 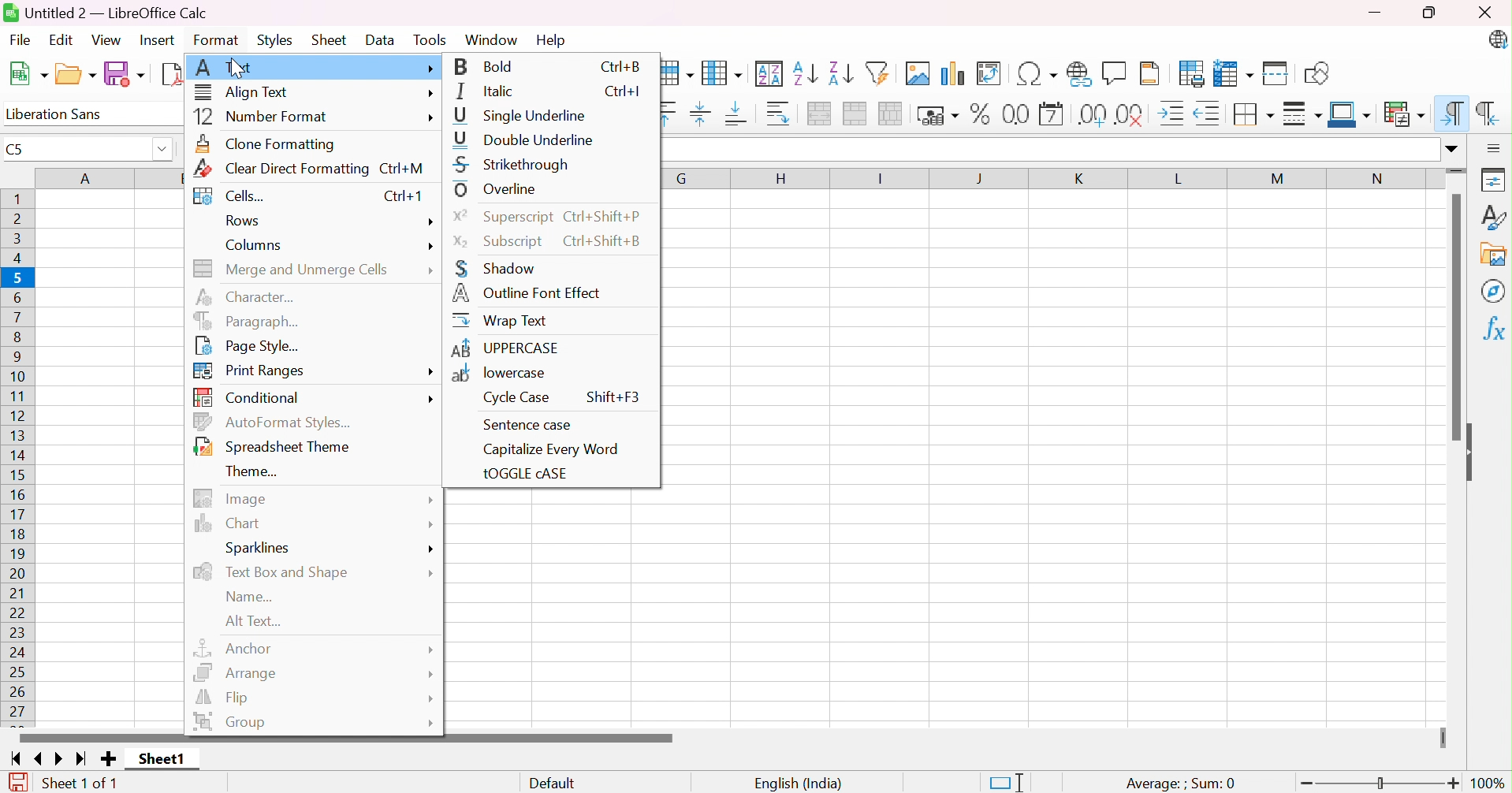 What do you see at coordinates (798, 784) in the screenshot?
I see `English (India)` at bounding box center [798, 784].